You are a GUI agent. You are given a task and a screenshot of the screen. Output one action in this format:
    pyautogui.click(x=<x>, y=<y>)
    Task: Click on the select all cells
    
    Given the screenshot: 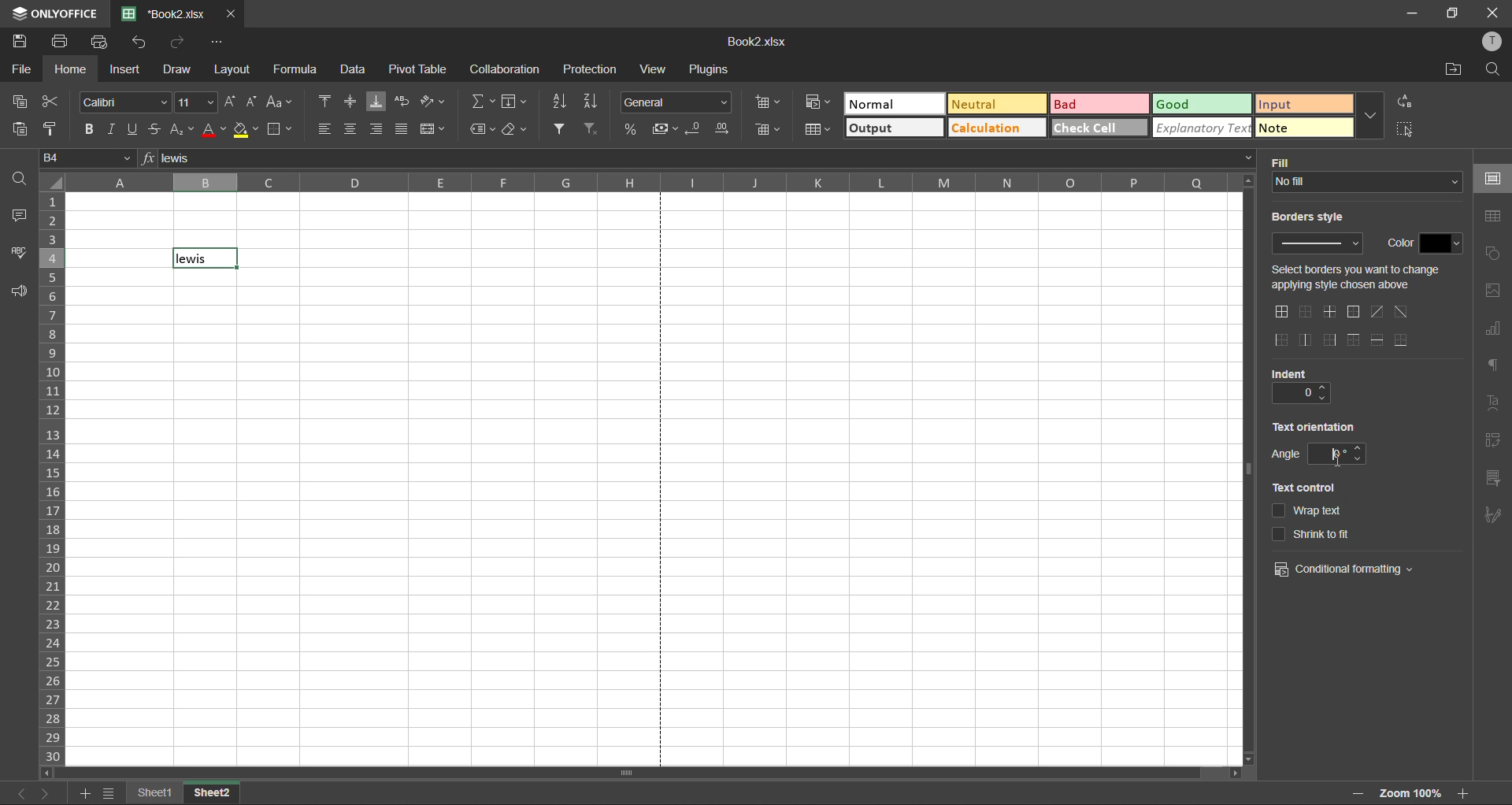 What is the action you would take?
    pyautogui.click(x=51, y=181)
    